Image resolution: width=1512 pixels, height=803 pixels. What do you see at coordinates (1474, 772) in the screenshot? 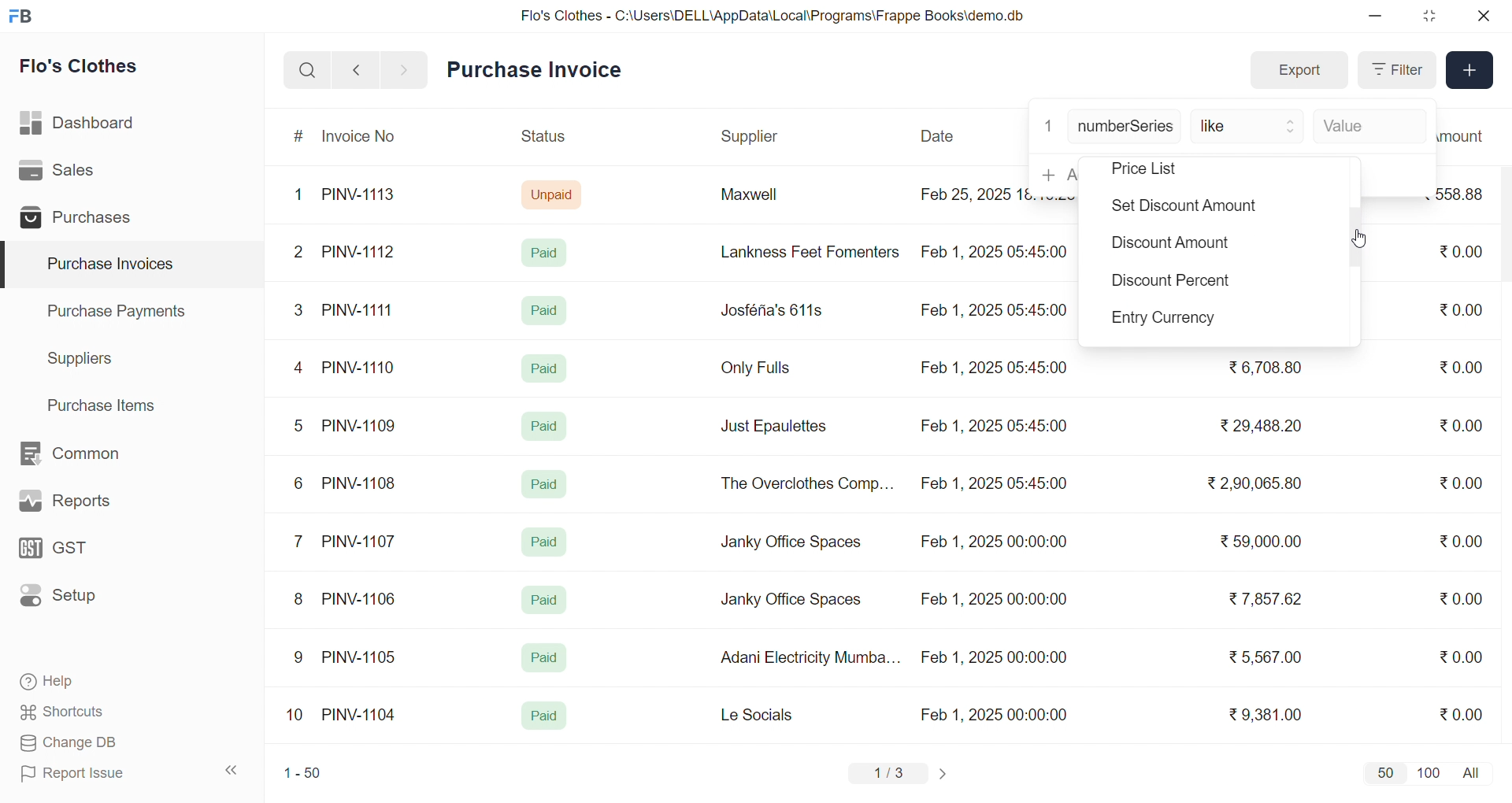
I see `all` at bounding box center [1474, 772].